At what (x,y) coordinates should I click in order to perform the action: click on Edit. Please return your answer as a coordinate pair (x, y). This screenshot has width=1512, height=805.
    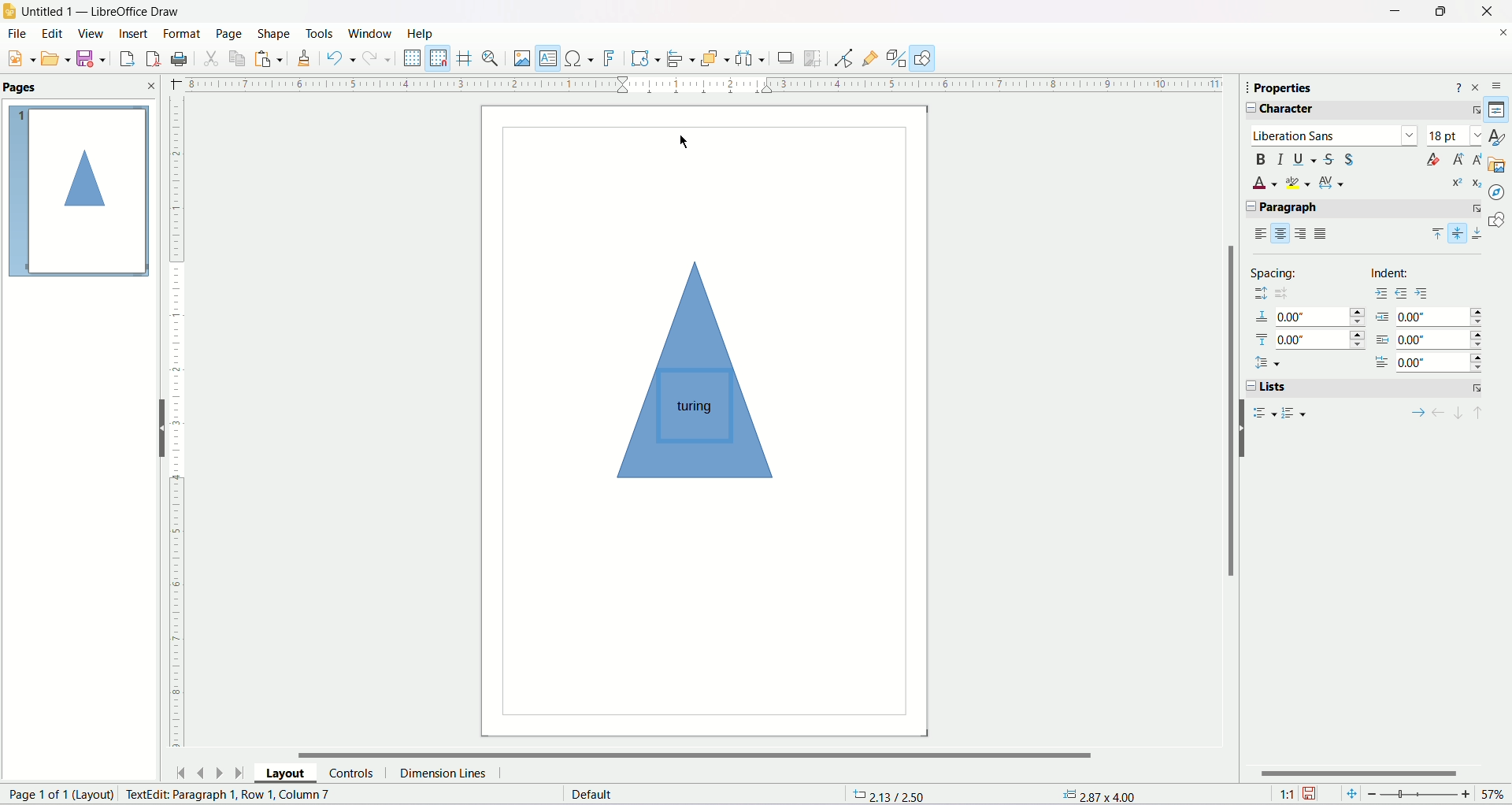
    Looking at the image, I should click on (50, 34).